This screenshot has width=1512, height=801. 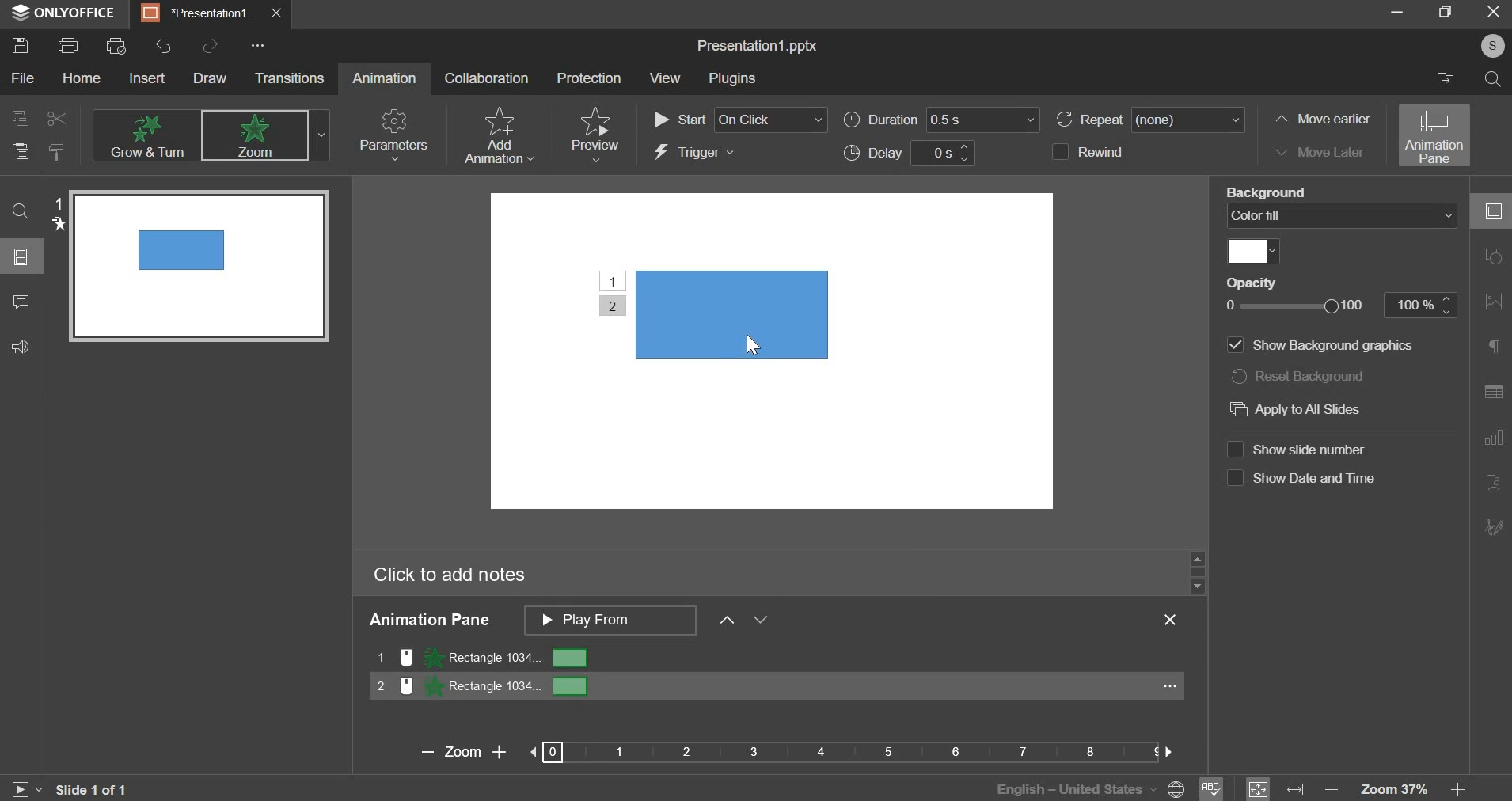 I want to click on rewind, so click(x=1111, y=152).